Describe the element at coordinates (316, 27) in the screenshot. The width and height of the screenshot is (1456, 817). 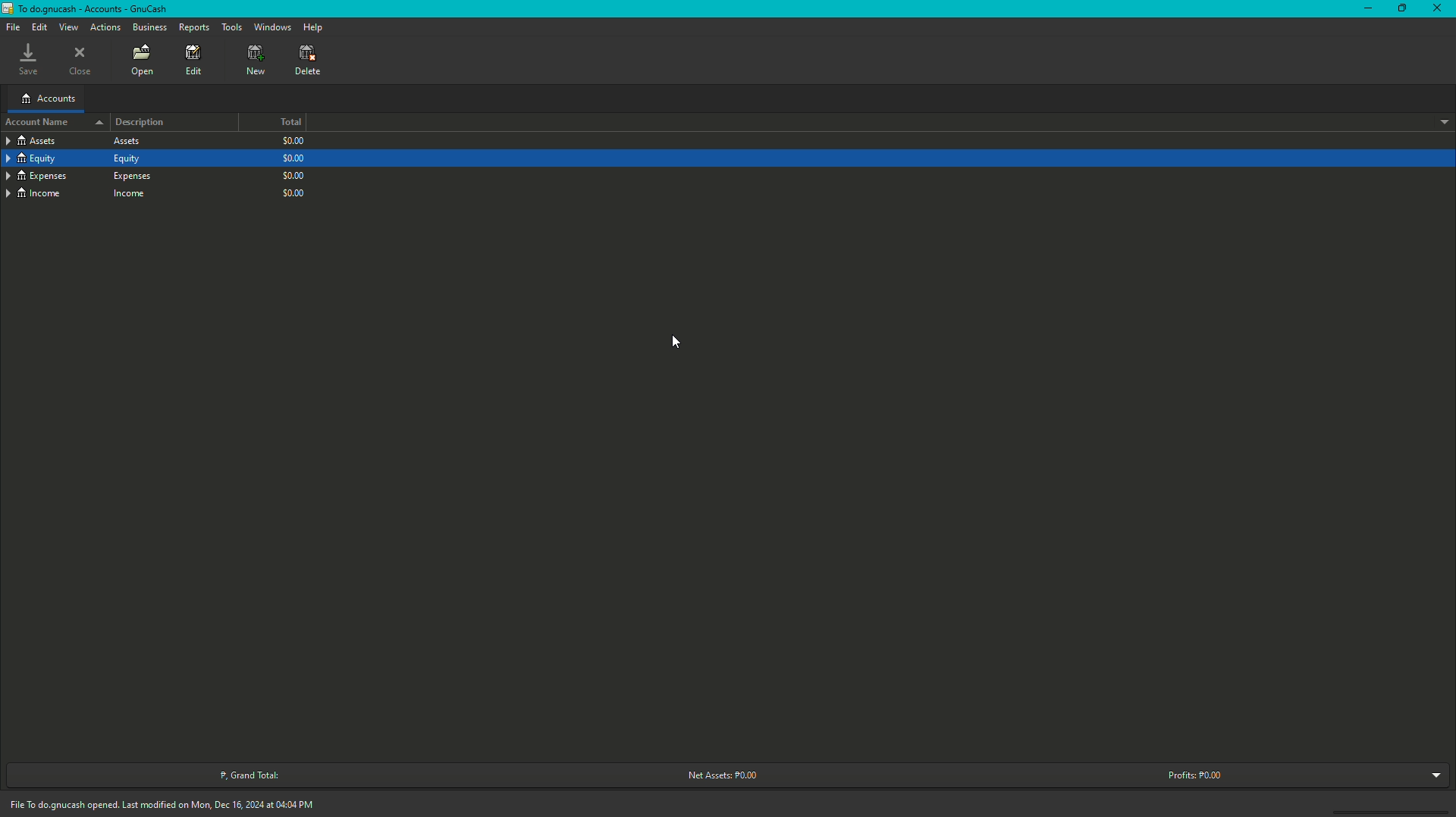
I see `Help` at that location.